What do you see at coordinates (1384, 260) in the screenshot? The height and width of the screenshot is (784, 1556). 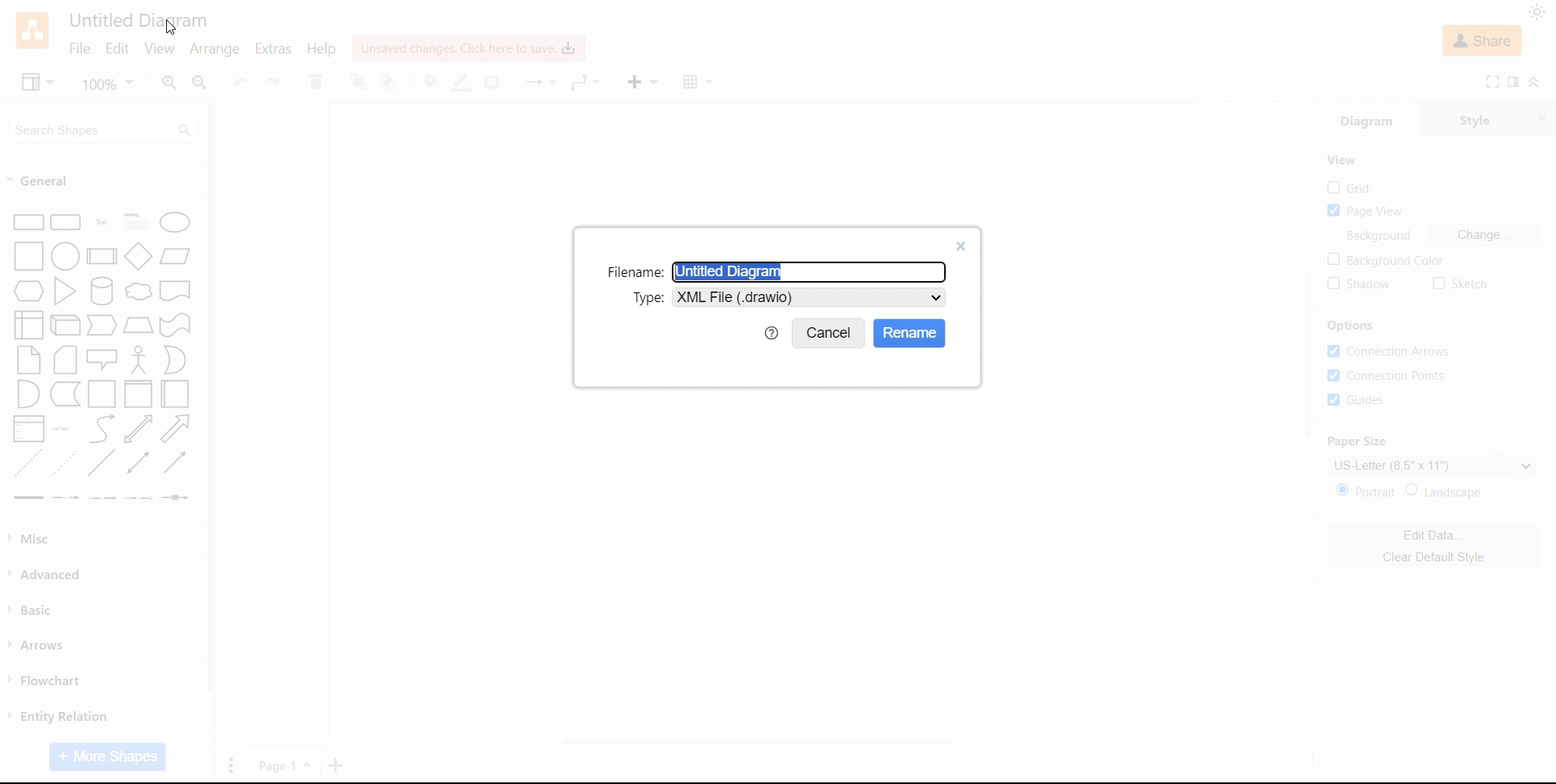 I see `Background Colour  ` at bounding box center [1384, 260].